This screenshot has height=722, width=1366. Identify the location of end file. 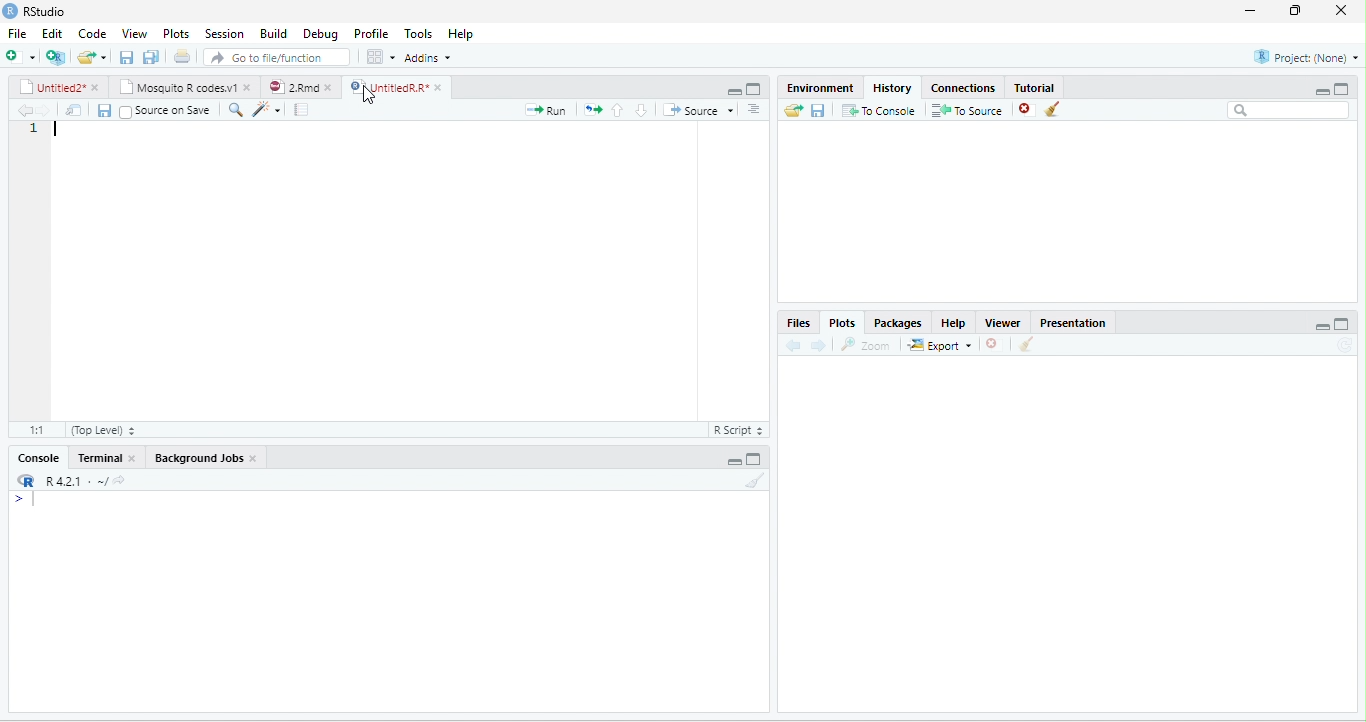
(92, 59).